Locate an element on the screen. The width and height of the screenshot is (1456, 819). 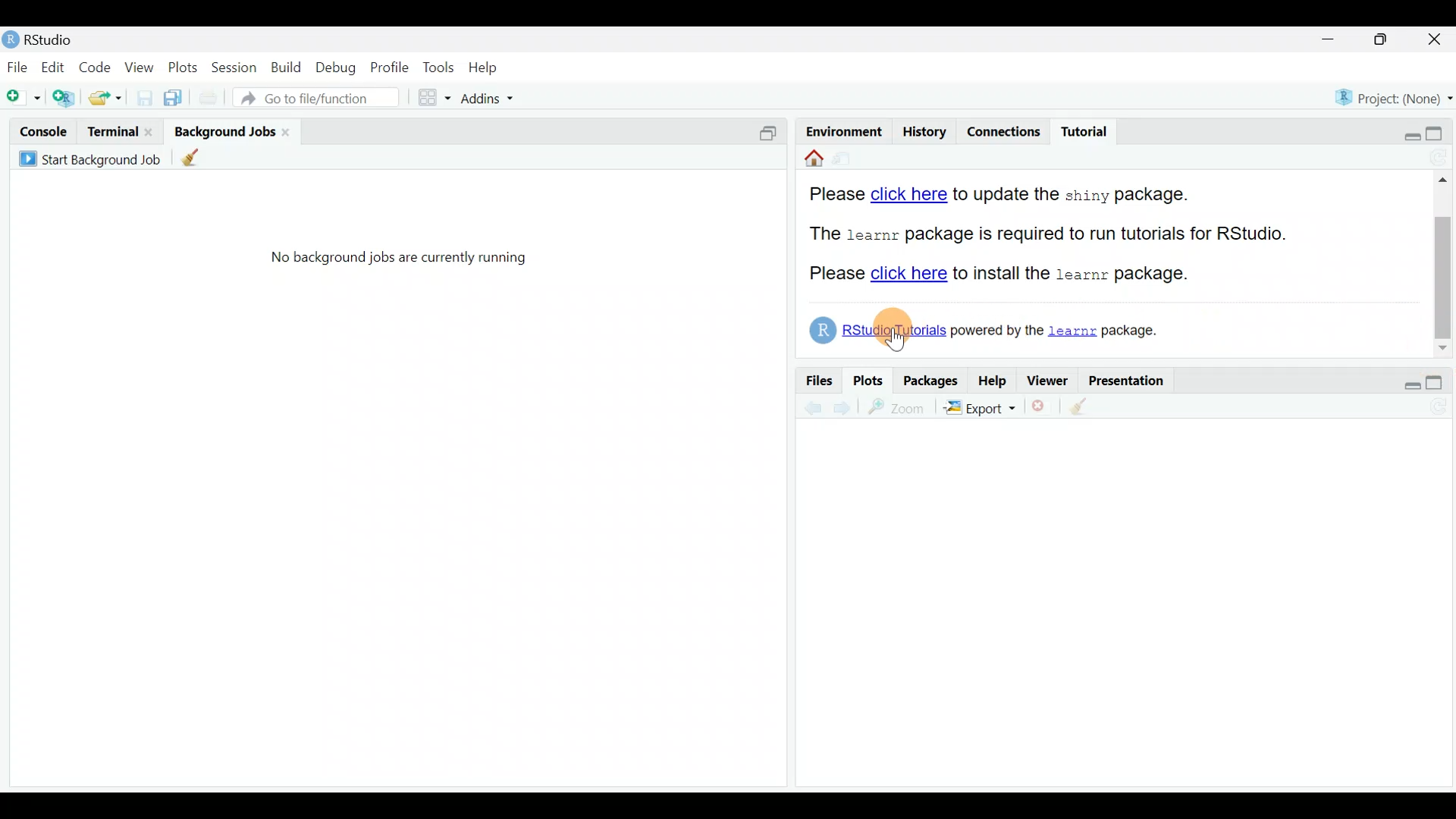
Viewer is located at coordinates (1051, 380).